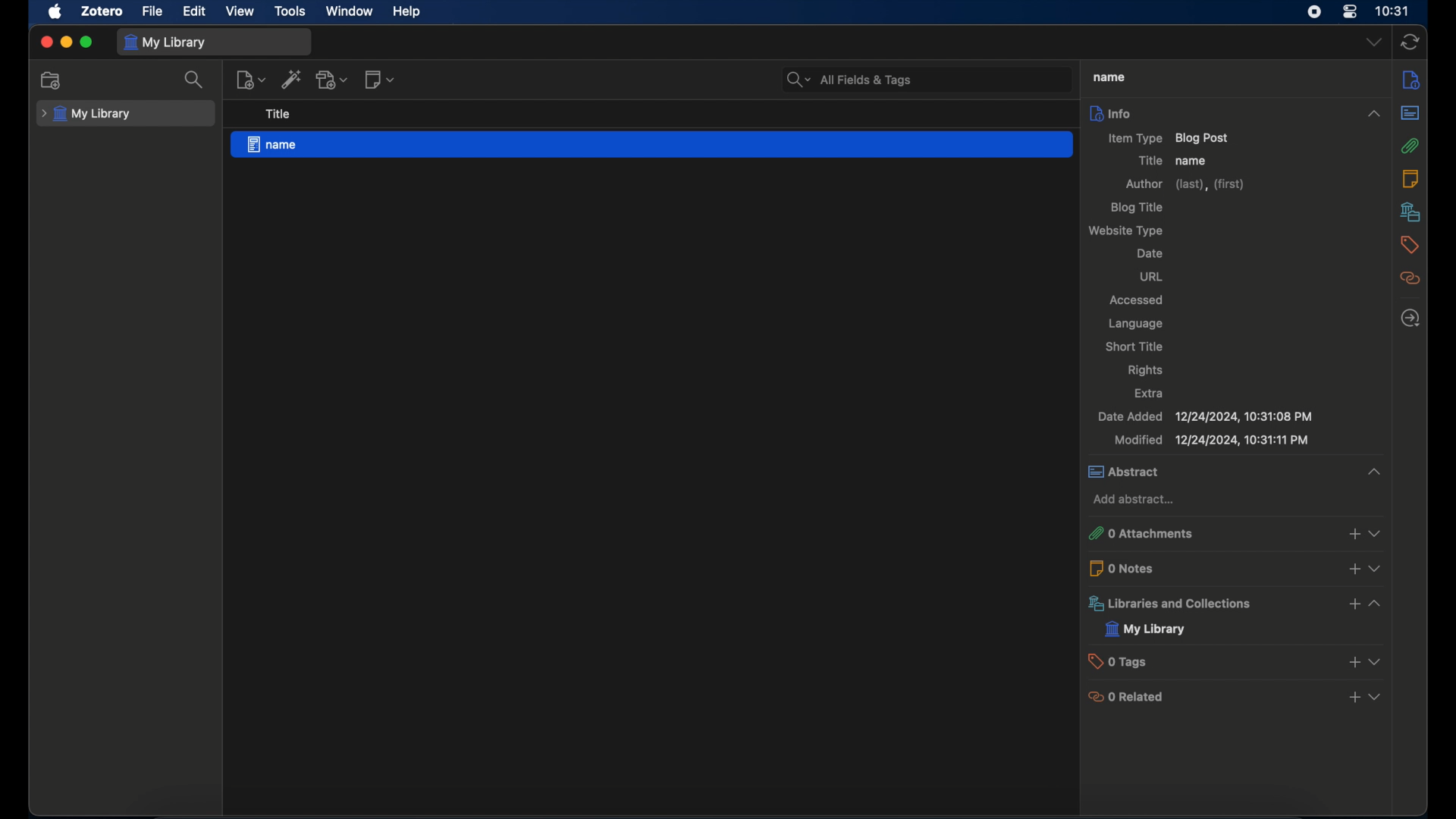 This screenshot has height=819, width=1456. I want to click on info, so click(1237, 112).